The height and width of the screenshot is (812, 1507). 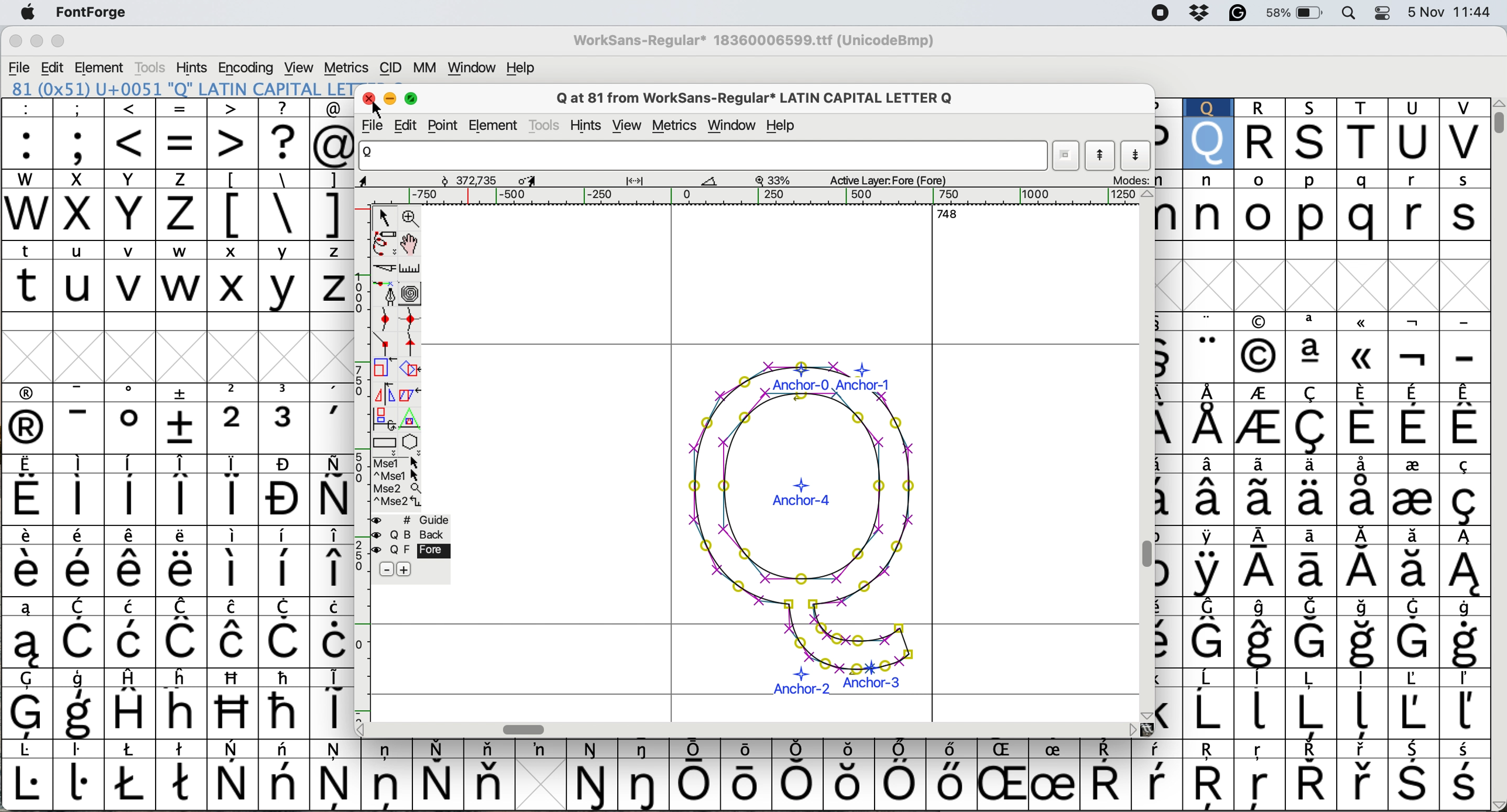 What do you see at coordinates (412, 443) in the screenshot?
I see `star or polygon` at bounding box center [412, 443].